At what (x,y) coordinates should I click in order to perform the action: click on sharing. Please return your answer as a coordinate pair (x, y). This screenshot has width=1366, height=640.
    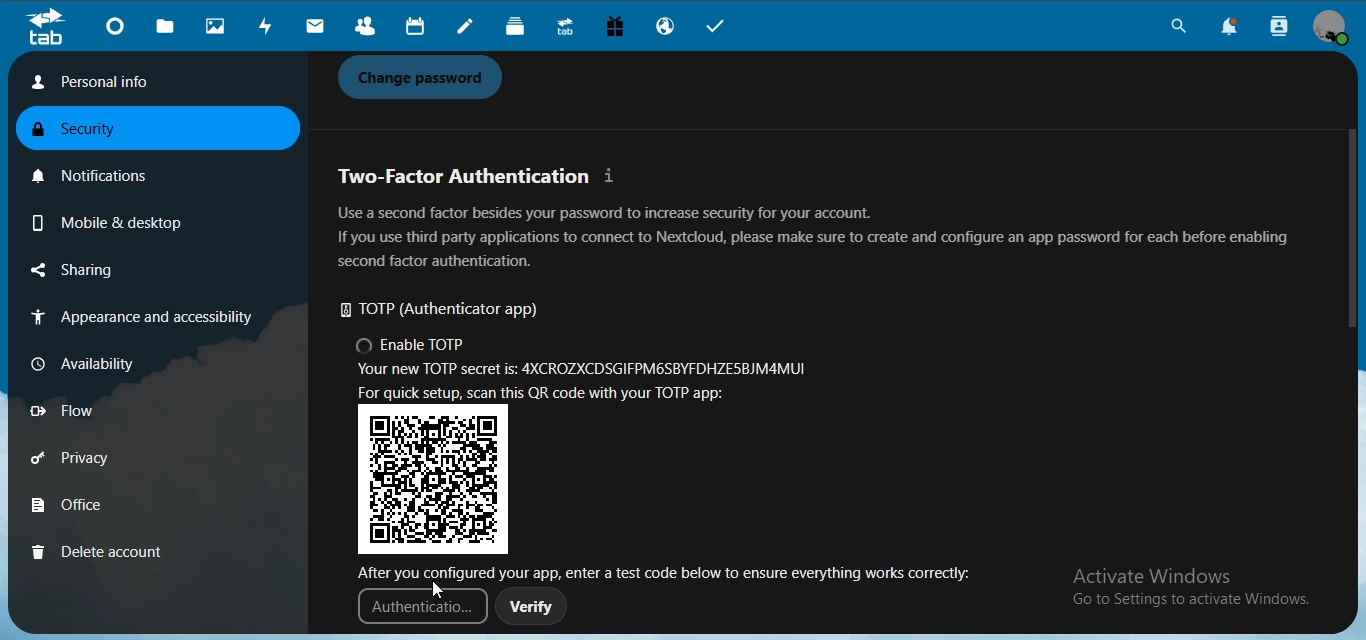
    Looking at the image, I should click on (103, 271).